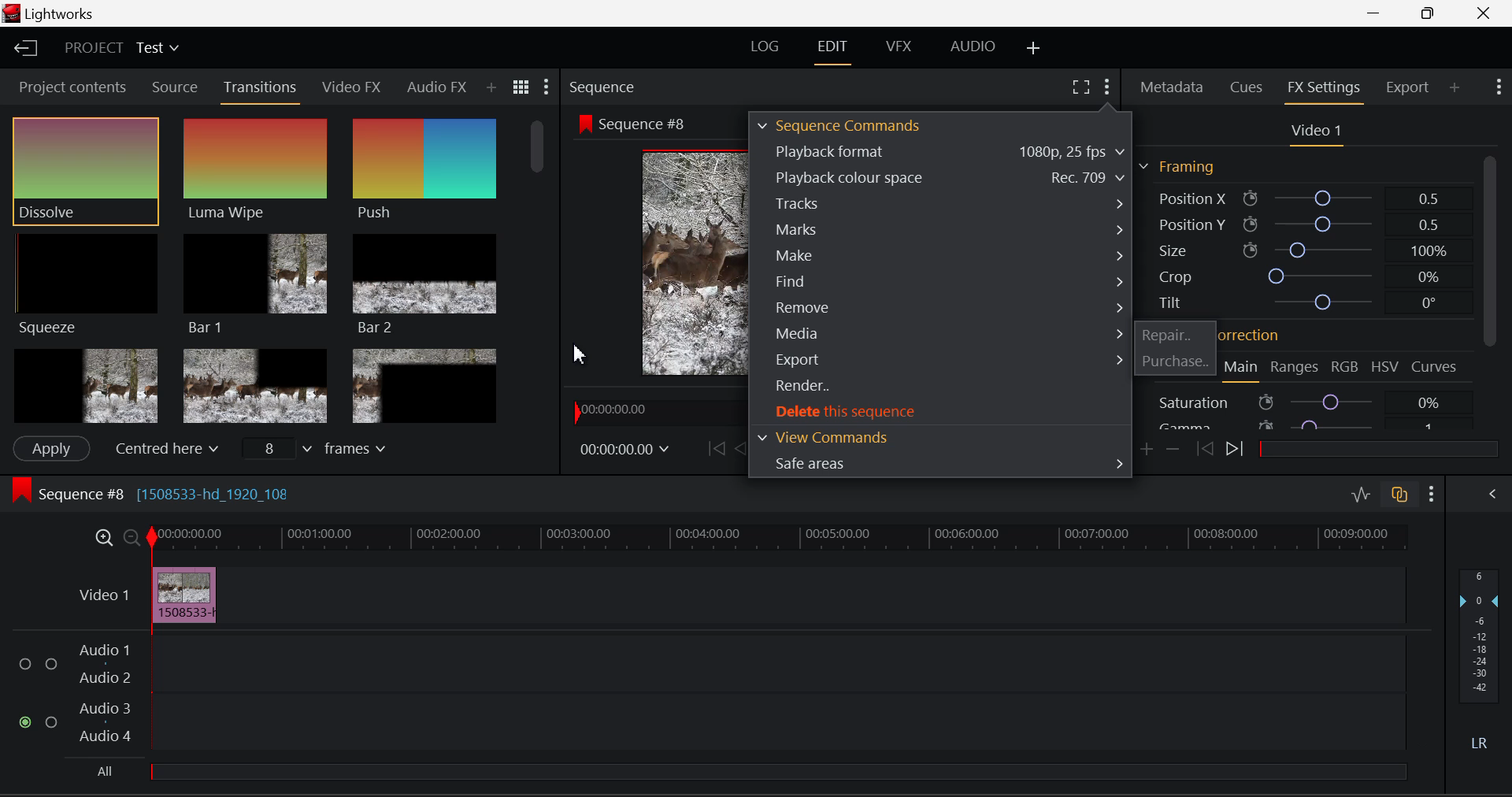 The height and width of the screenshot is (797, 1512). Describe the element at coordinates (841, 124) in the screenshot. I see `Sequence Commands` at that location.